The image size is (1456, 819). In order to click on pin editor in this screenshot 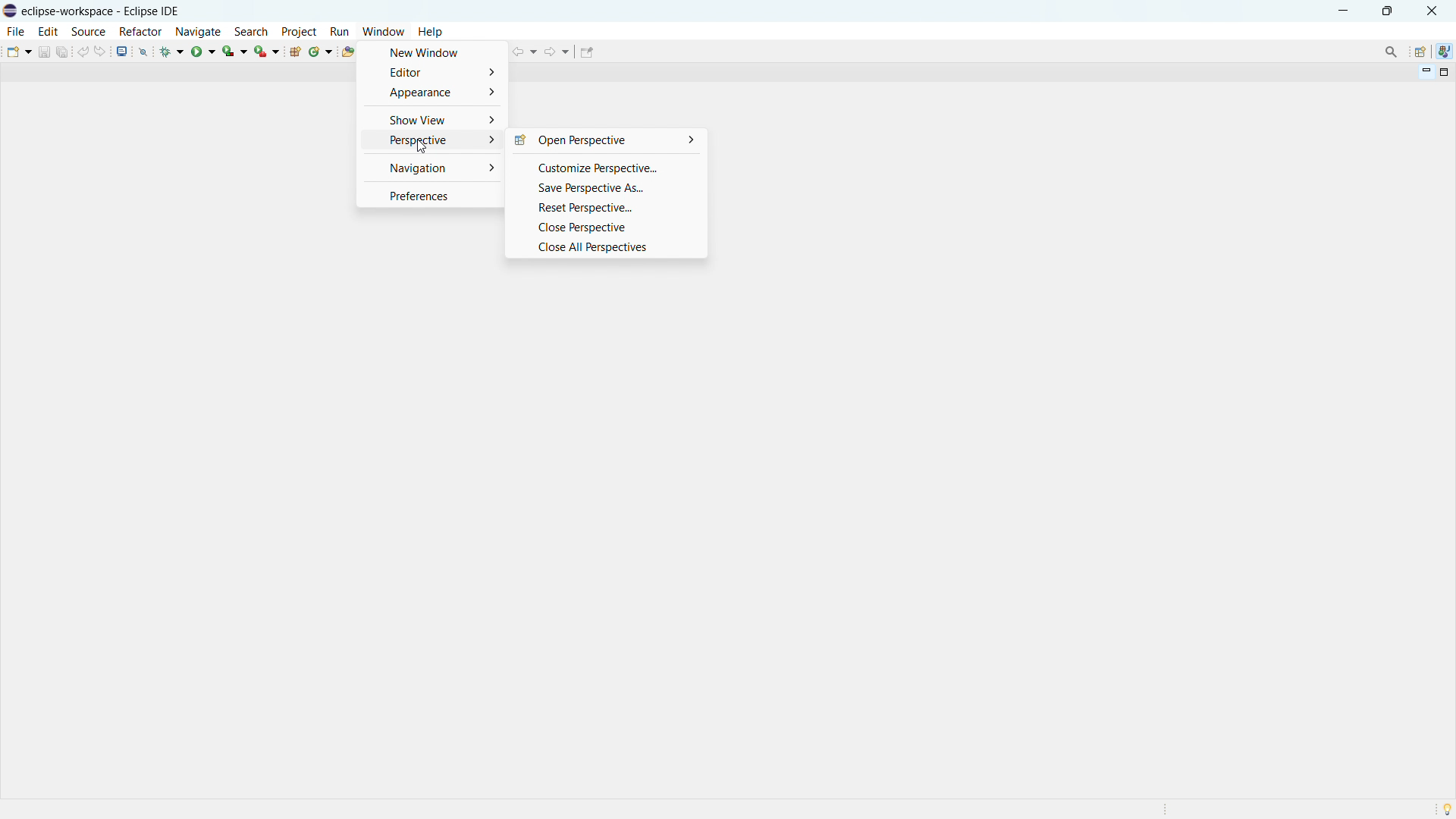, I will do `click(587, 52)`.